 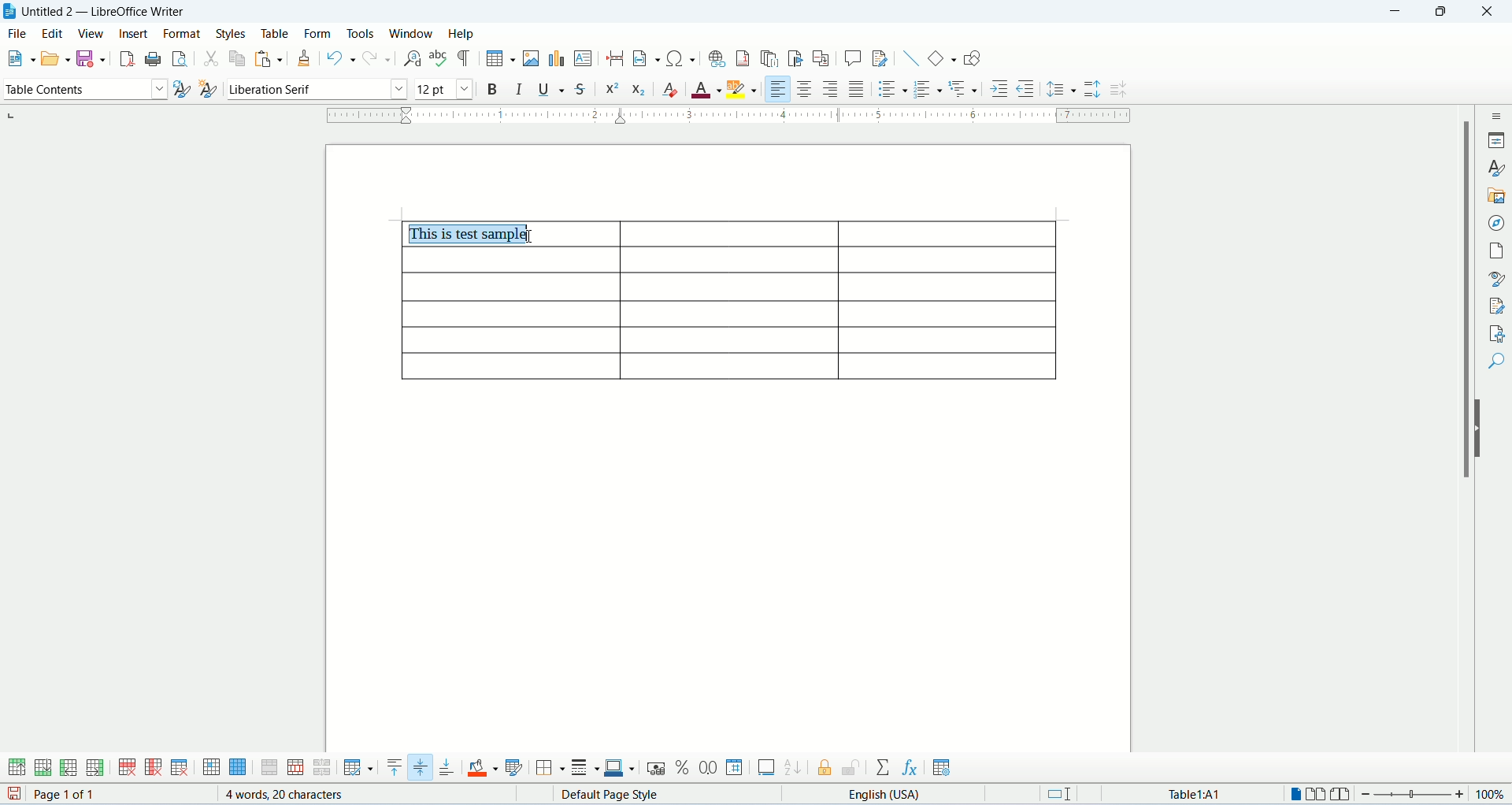 I want to click on font color, so click(x=705, y=87).